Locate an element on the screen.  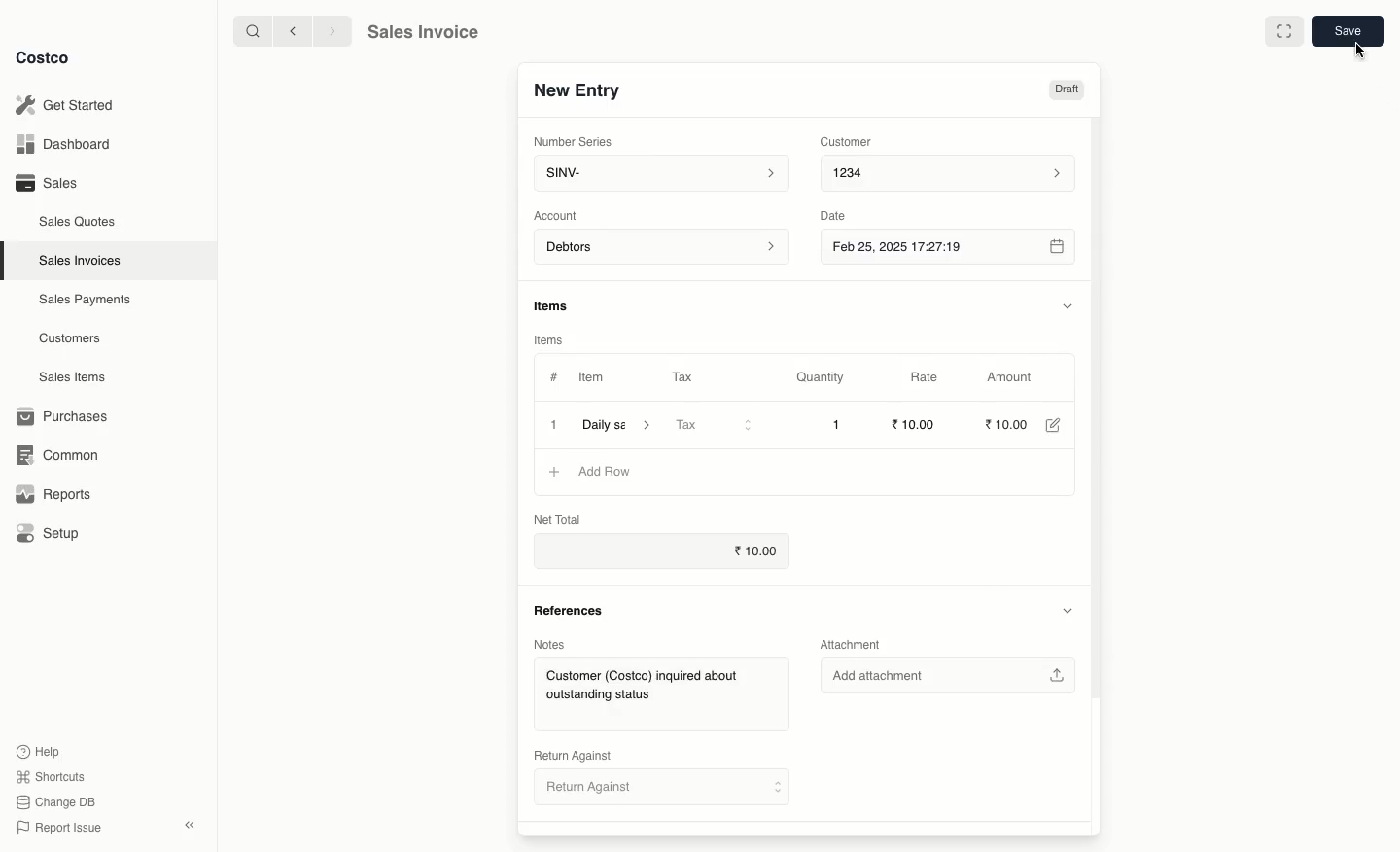
Hide is located at coordinates (1067, 610).